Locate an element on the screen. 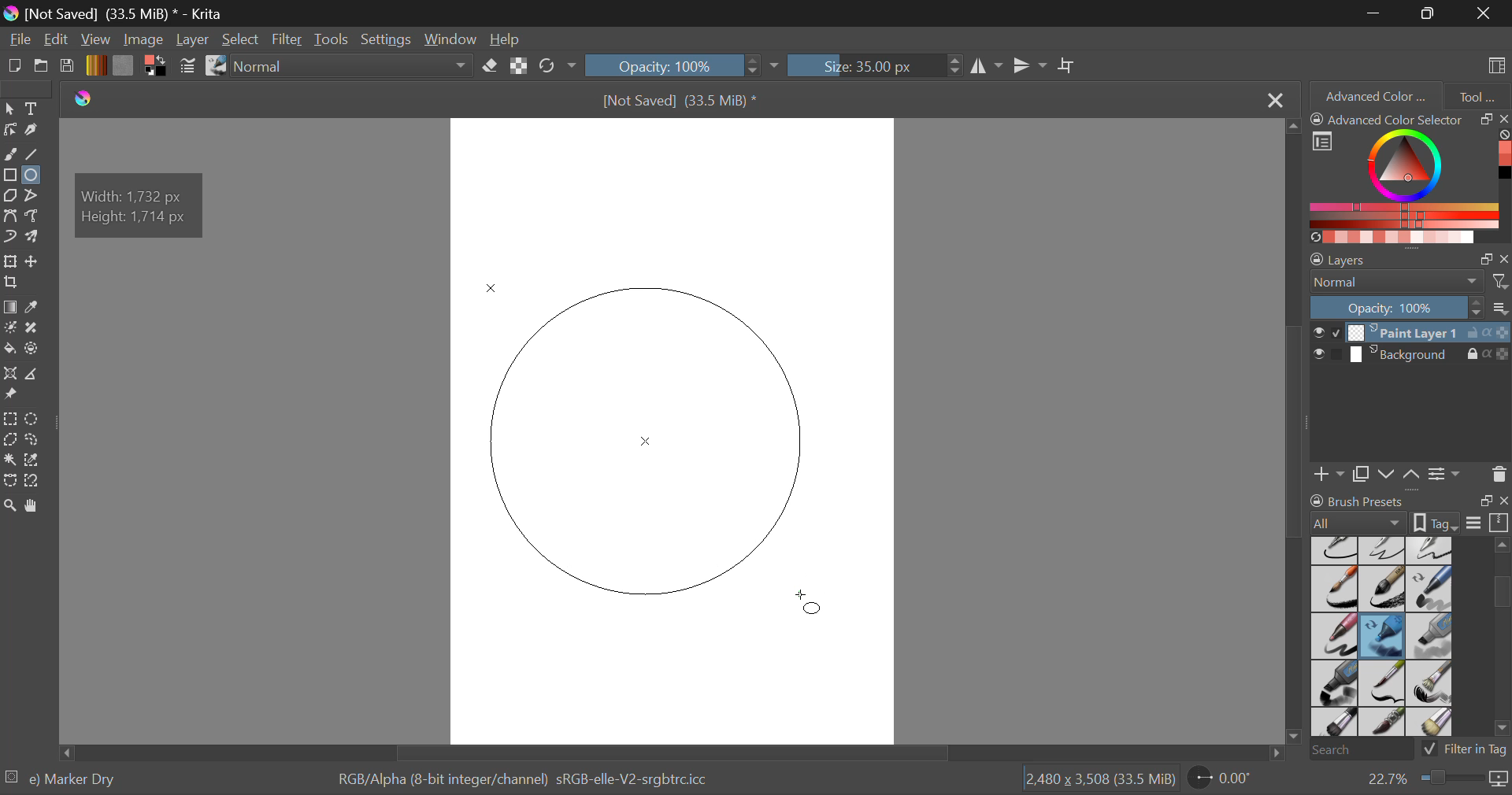  Marker Dry is located at coordinates (1383, 636).